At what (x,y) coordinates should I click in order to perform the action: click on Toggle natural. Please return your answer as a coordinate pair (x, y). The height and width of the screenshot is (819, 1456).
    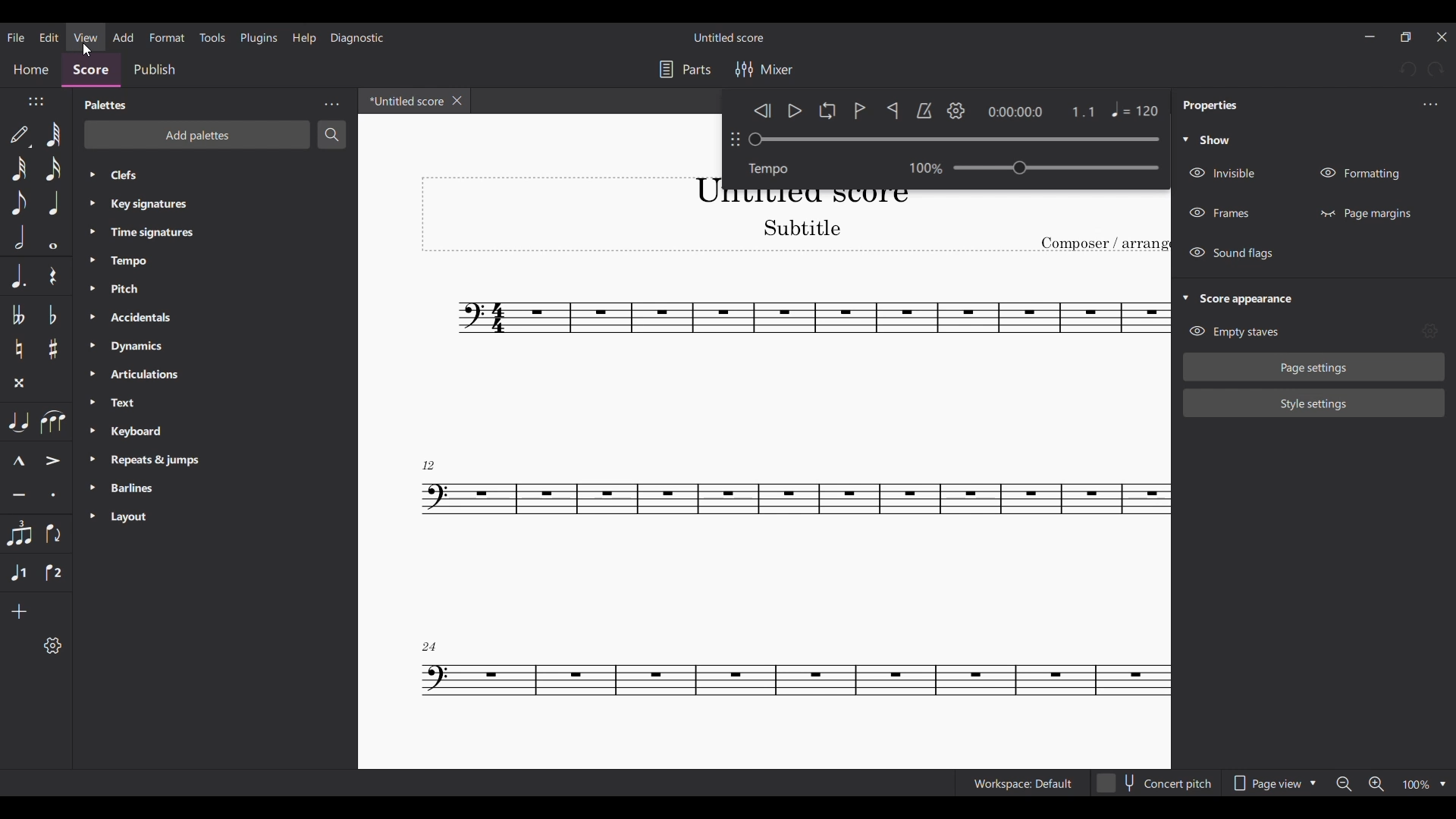
    Looking at the image, I should click on (19, 349).